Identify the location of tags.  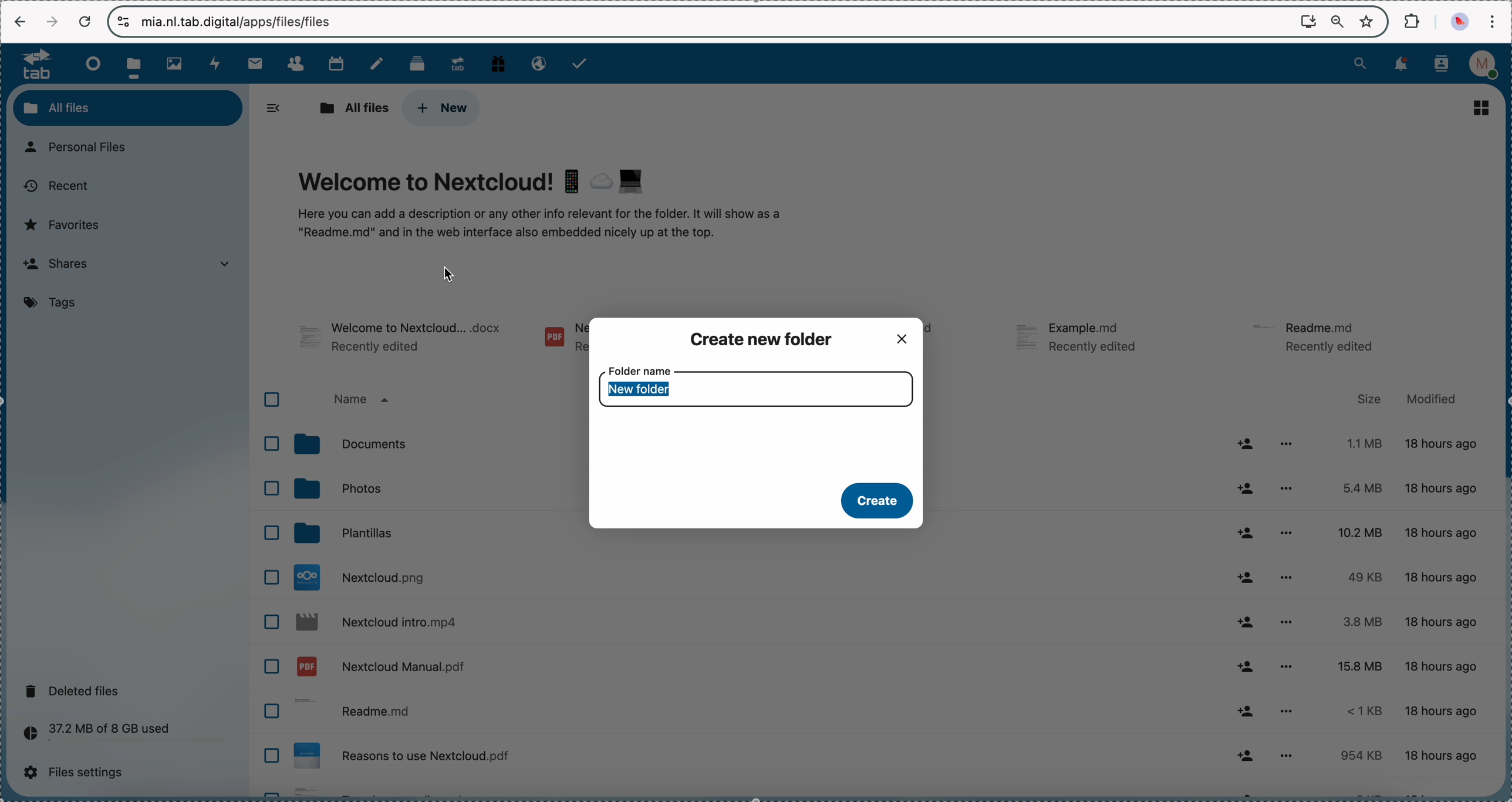
(54, 304).